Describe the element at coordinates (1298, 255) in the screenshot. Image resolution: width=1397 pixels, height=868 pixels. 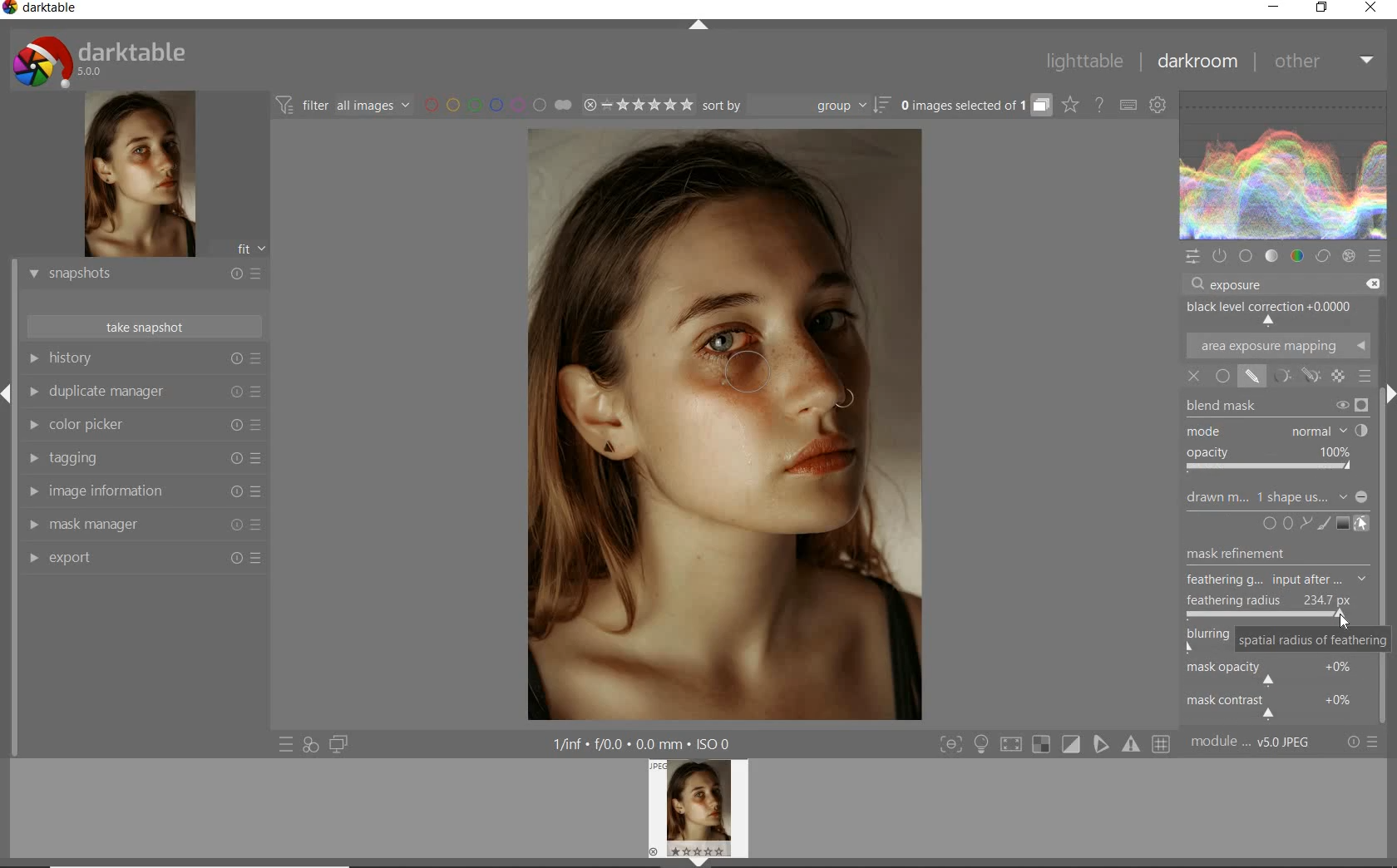
I see `color` at that location.